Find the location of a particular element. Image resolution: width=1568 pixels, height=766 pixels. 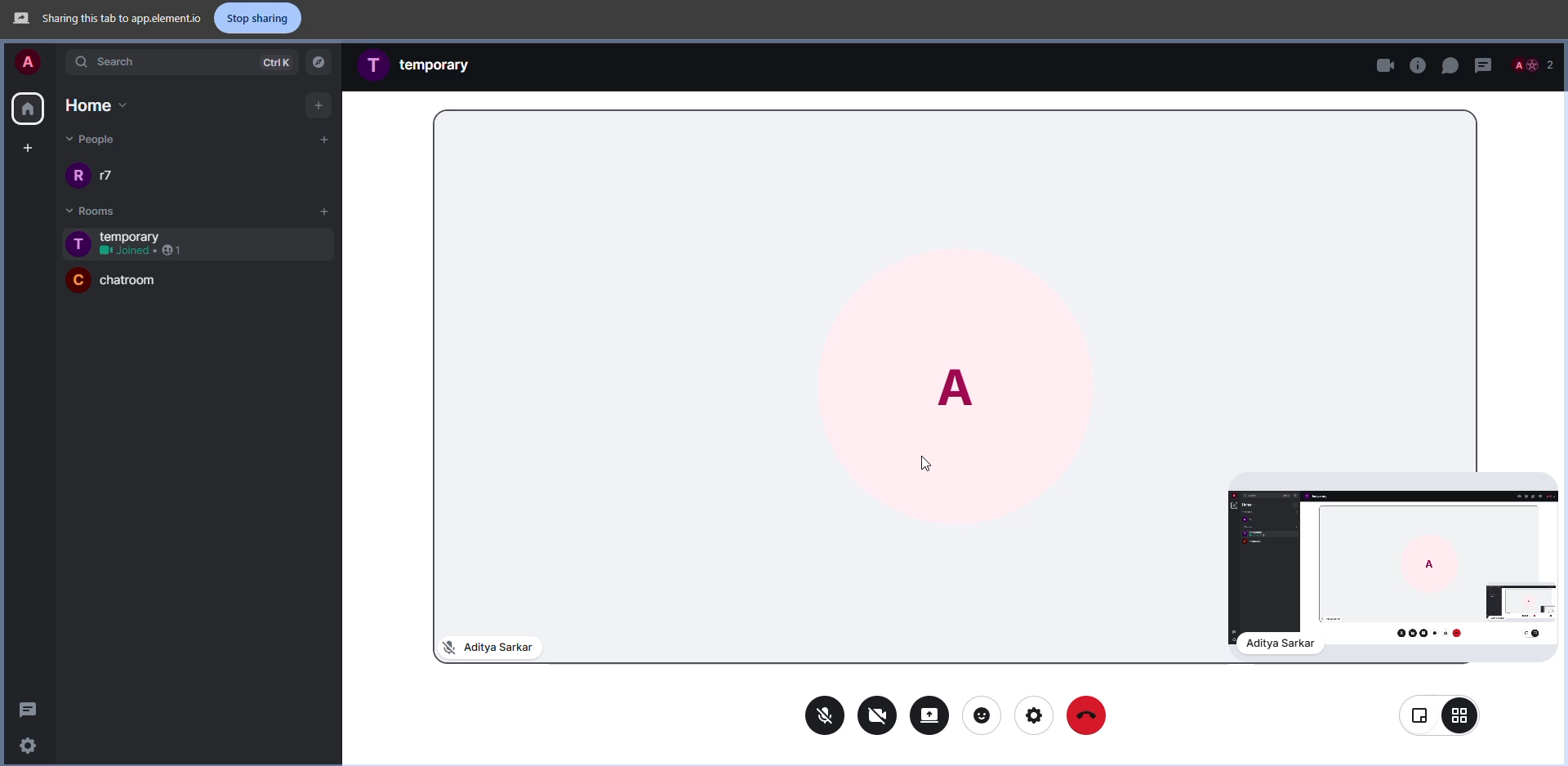

room is located at coordinates (140, 280).